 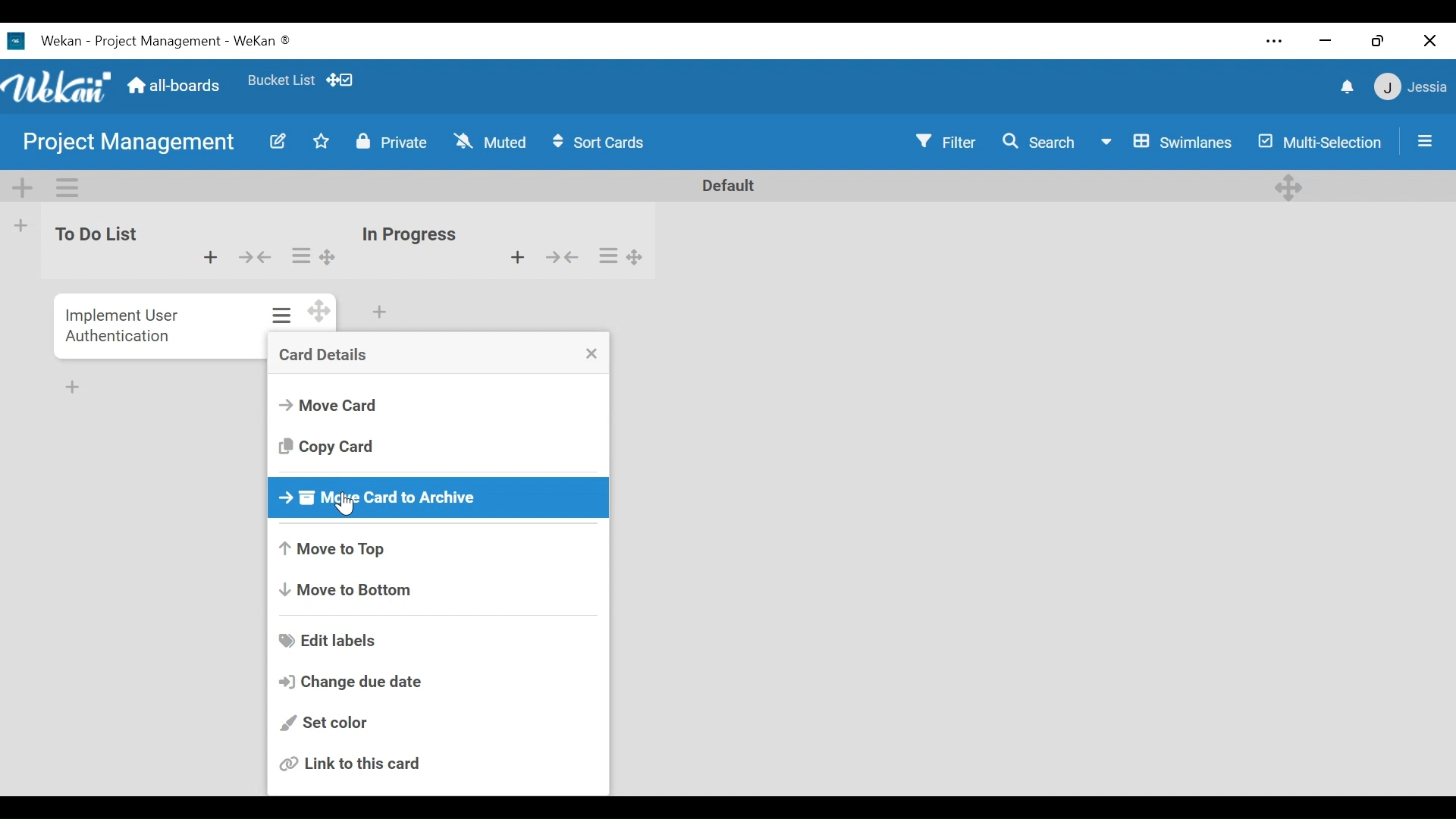 I want to click on Change Watch, so click(x=493, y=141).